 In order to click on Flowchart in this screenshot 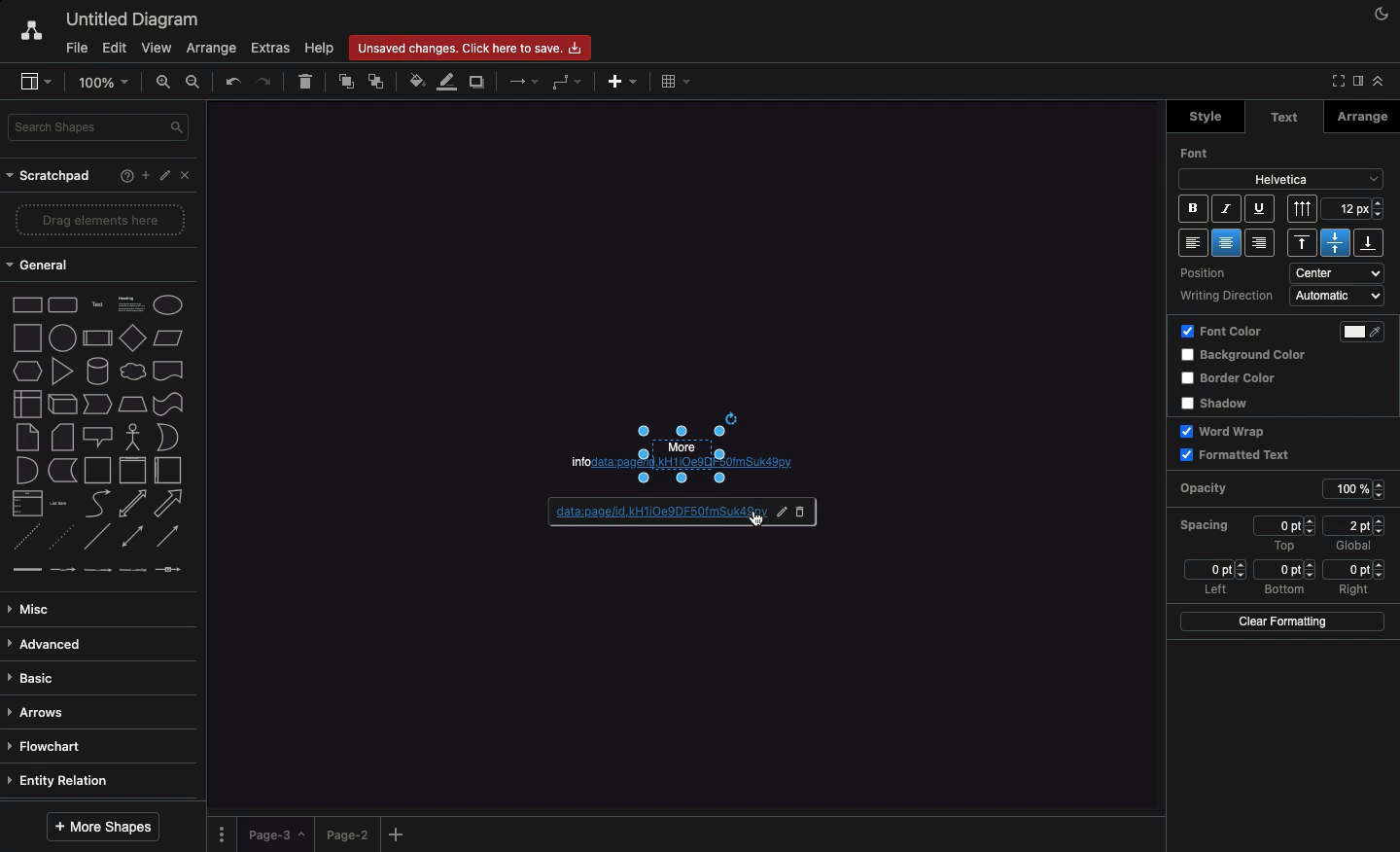, I will do `click(53, 747)`.